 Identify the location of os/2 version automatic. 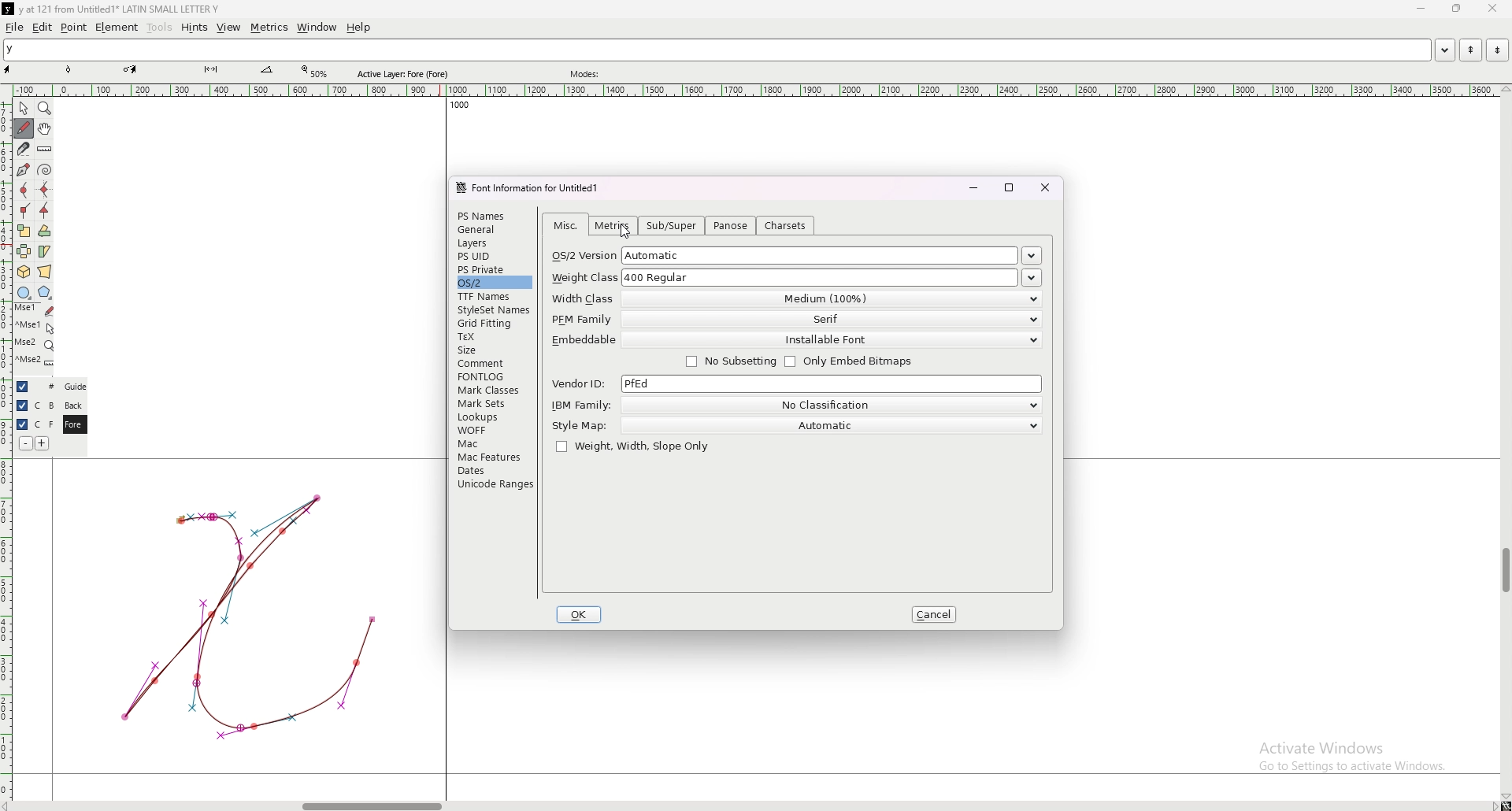
(786, 255).